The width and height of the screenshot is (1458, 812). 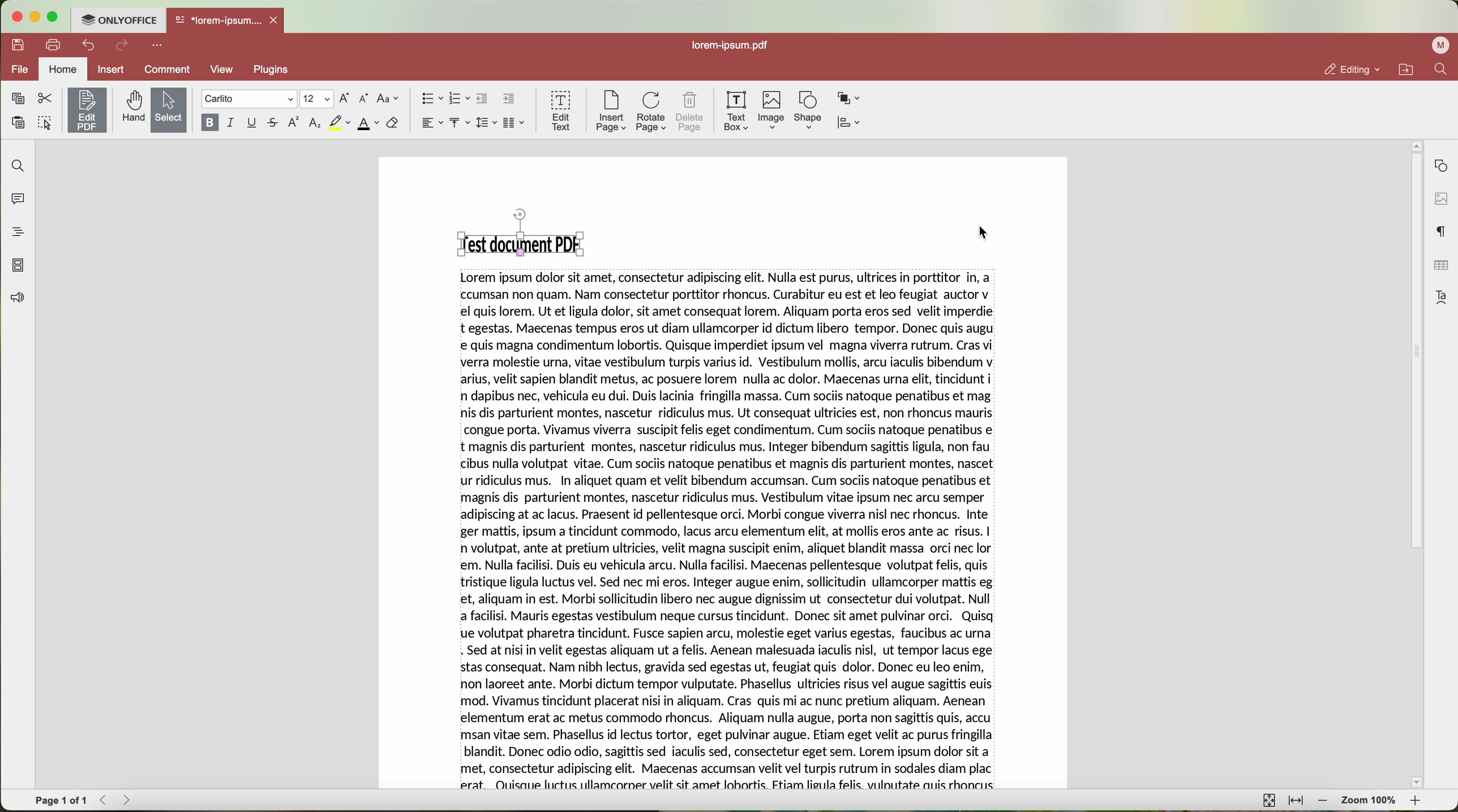 I want to click on shape, so click(x=807, y=111).